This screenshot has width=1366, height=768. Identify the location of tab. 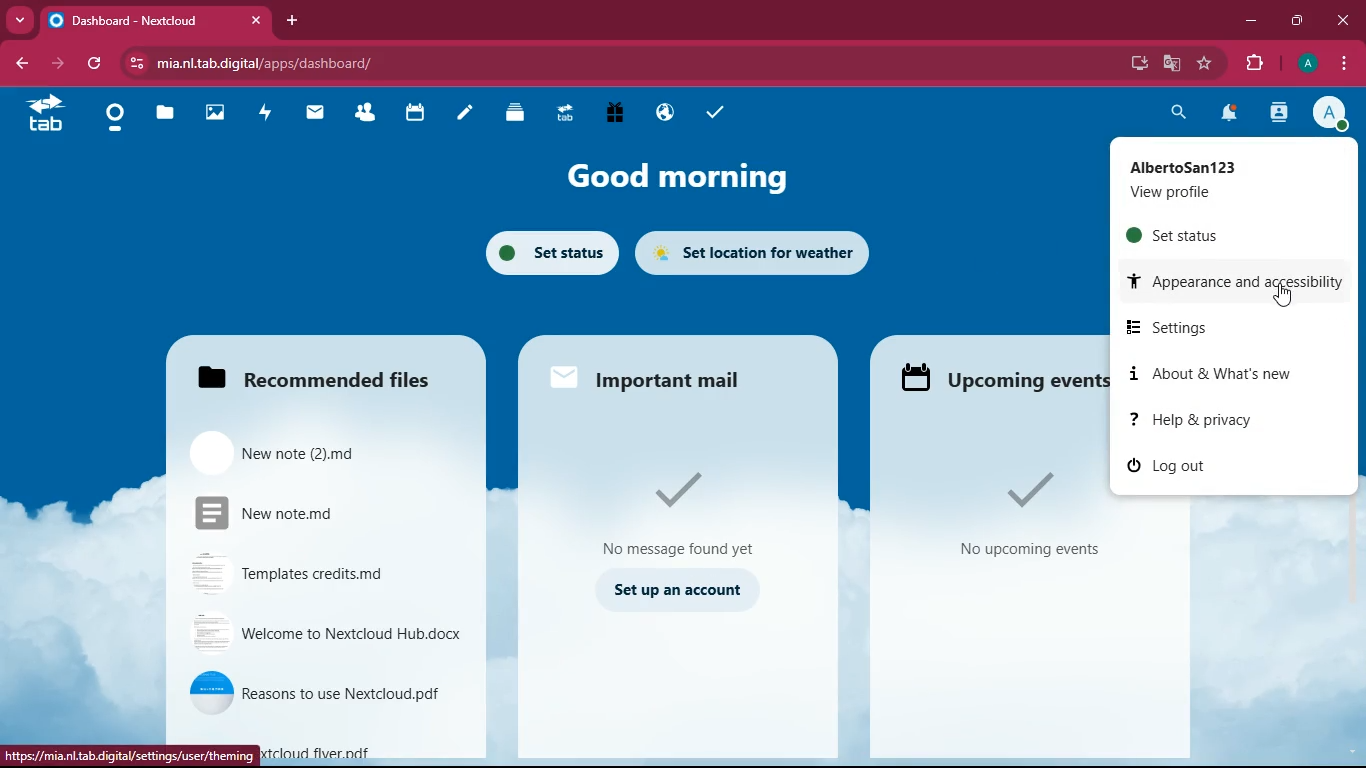
(48, 116).